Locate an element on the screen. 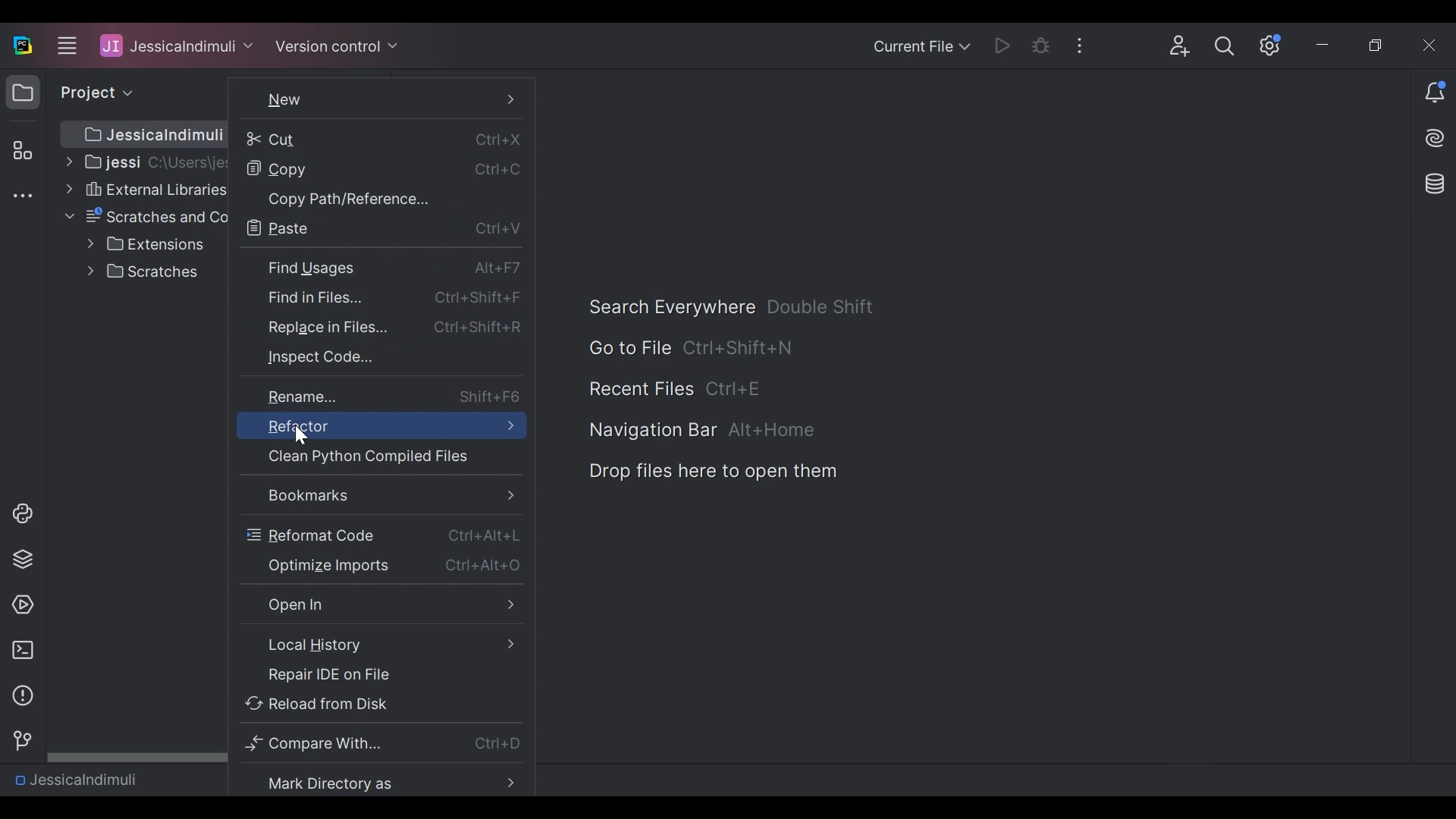 This screenshot has width=1456, height=819. AI Assistant is located at coordinates (1436, 138).